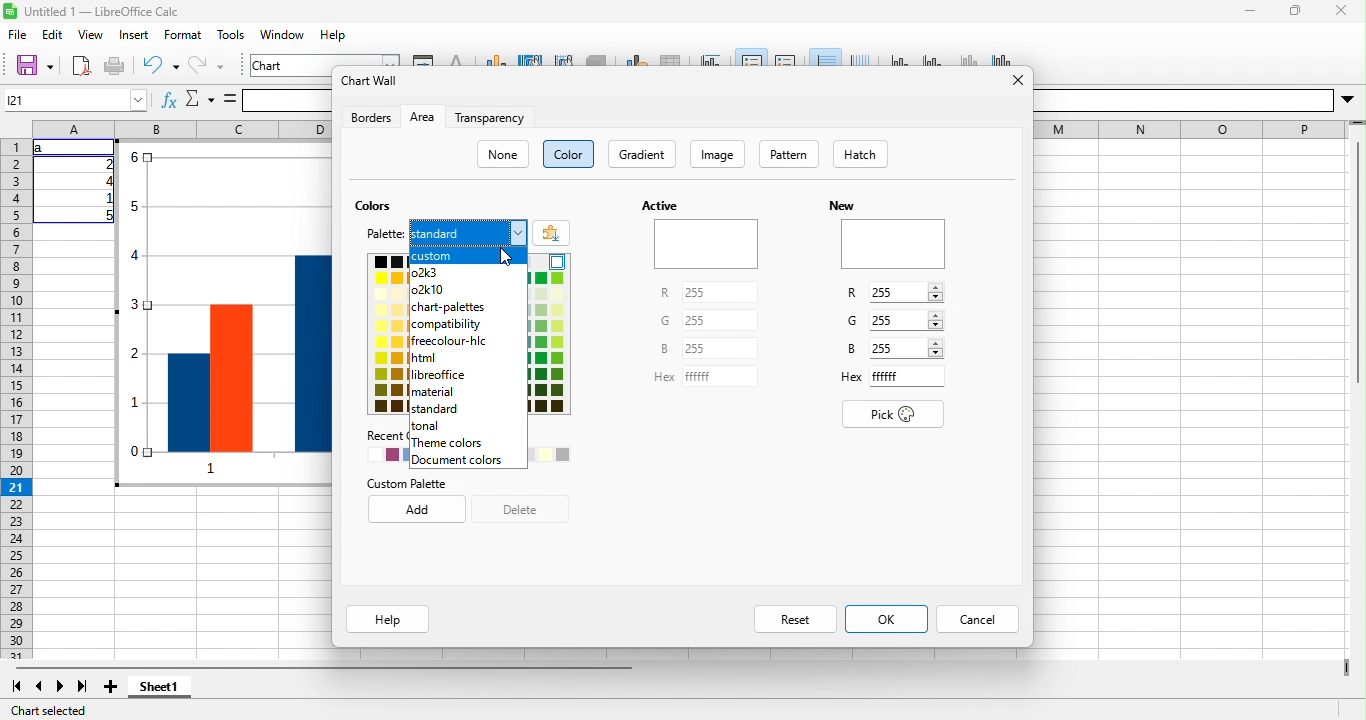 The width and height of the screenshot is (1366, 720). I want to click on help, so click(333, 34).